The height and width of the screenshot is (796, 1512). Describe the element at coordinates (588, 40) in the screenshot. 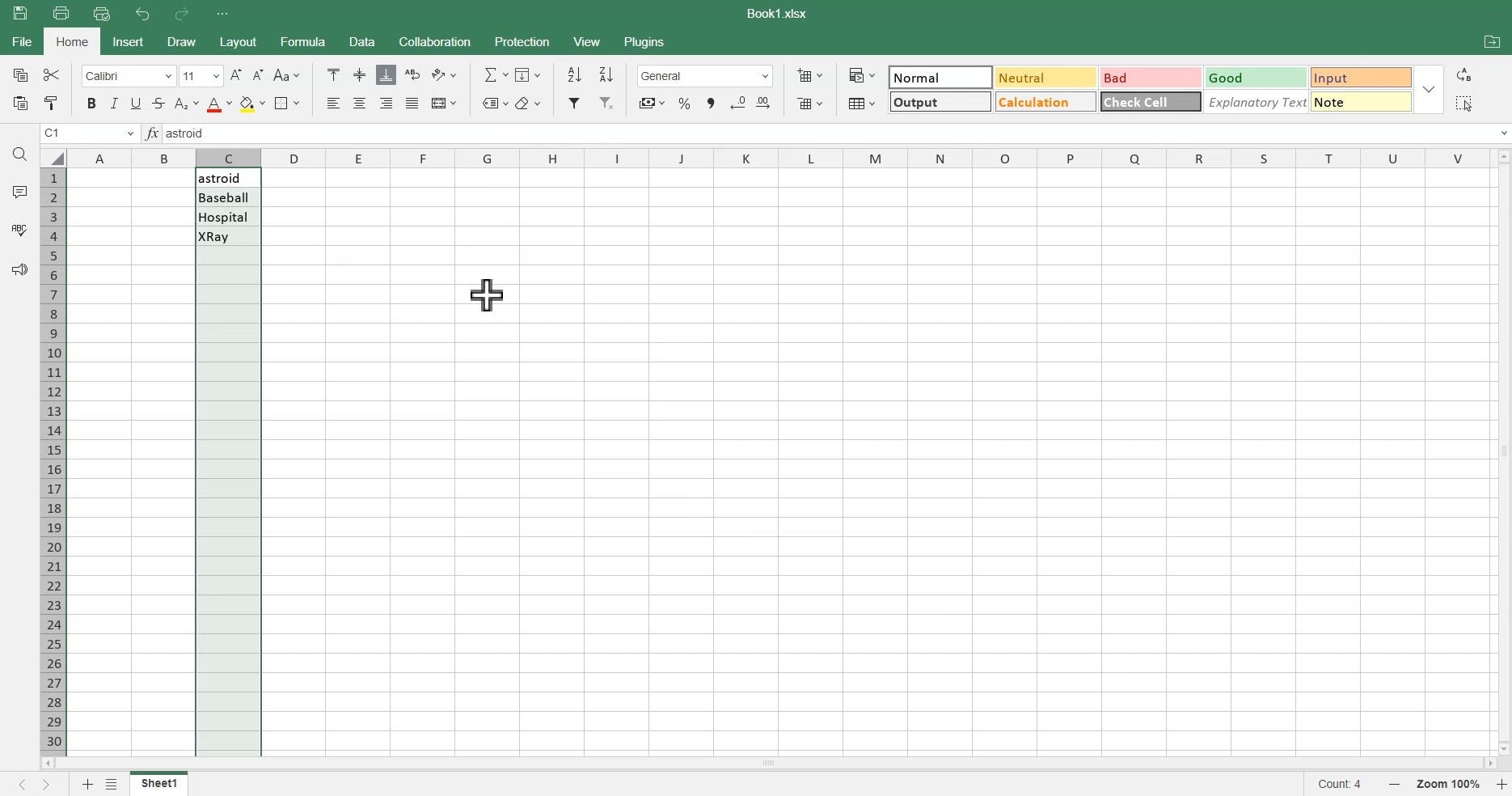

I see `View` at that location.